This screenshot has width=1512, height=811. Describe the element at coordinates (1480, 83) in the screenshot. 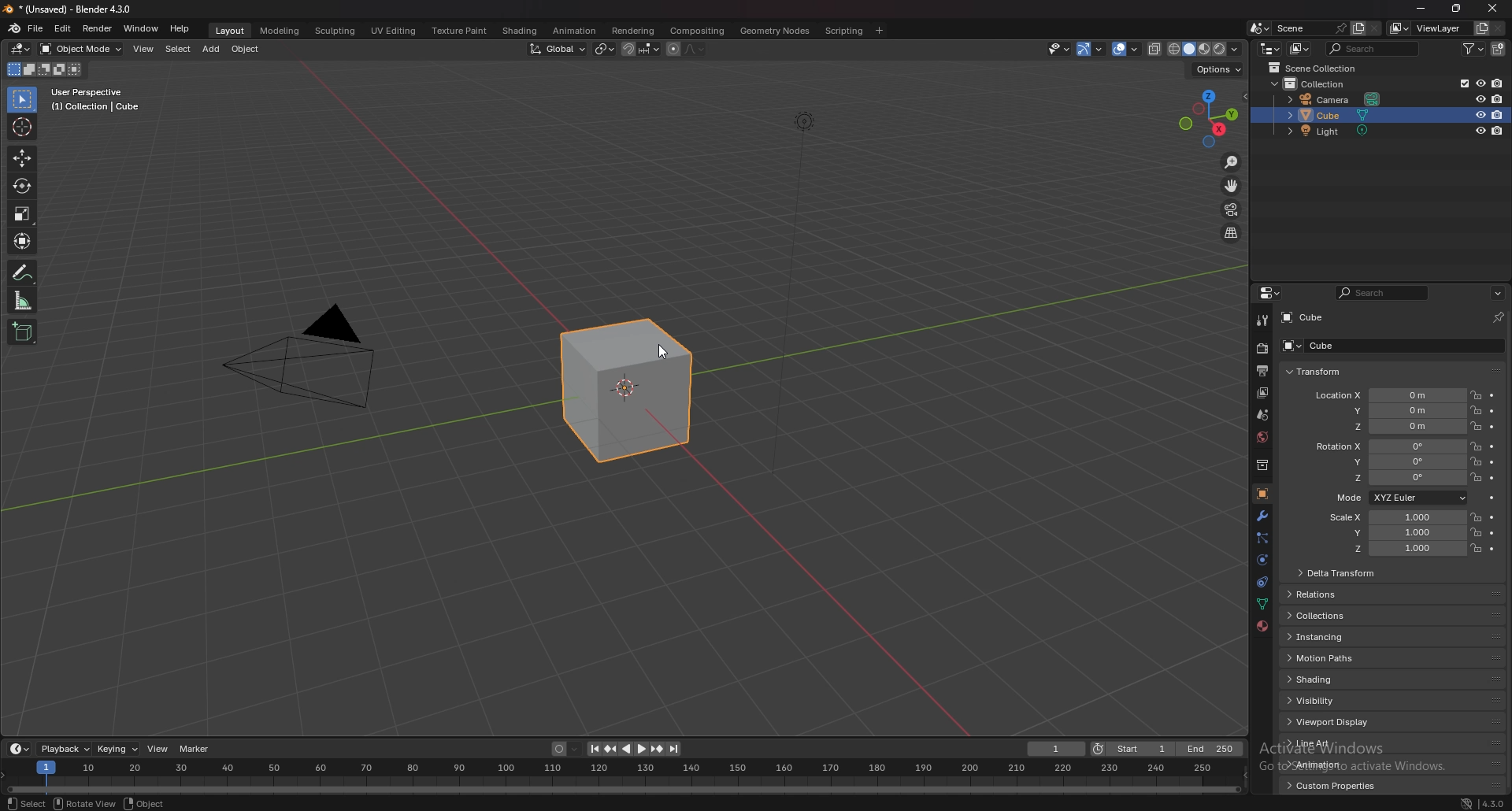

I see `hide in viewport` at that location.